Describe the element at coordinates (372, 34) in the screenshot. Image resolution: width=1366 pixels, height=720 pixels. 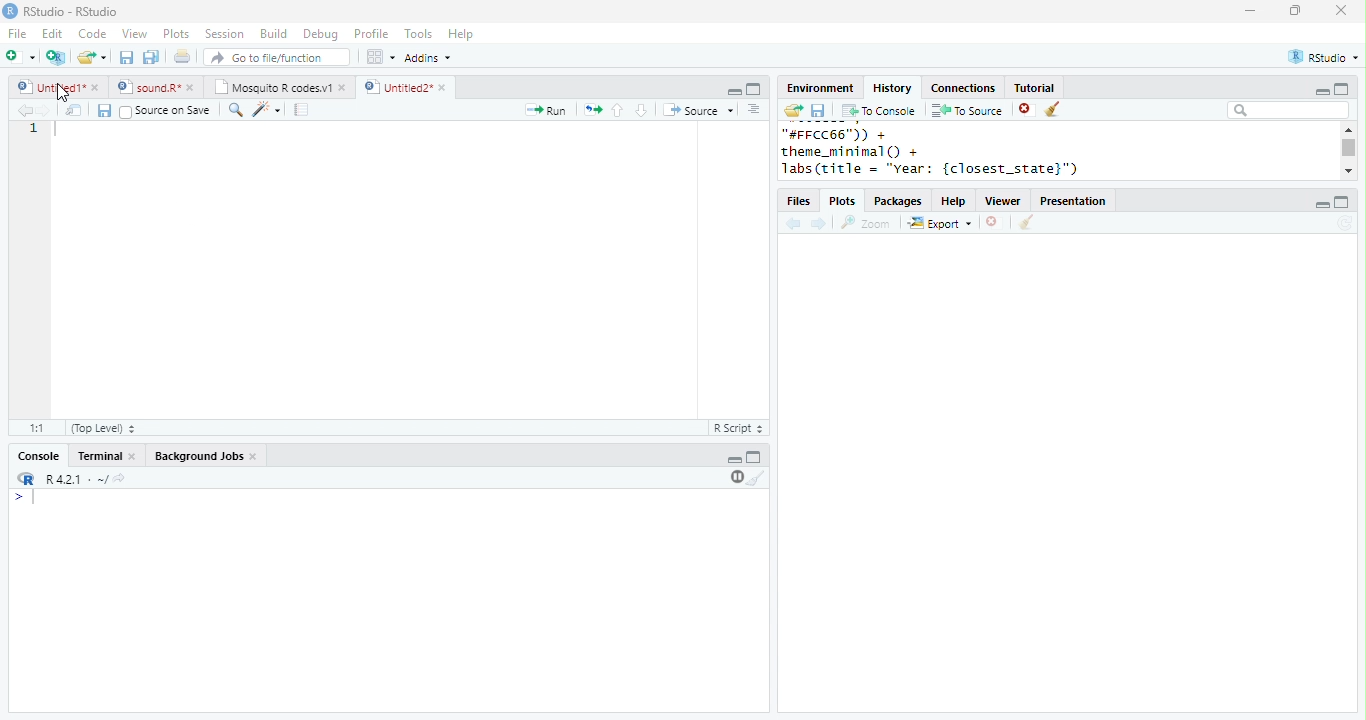
I see `Profile` at that location.